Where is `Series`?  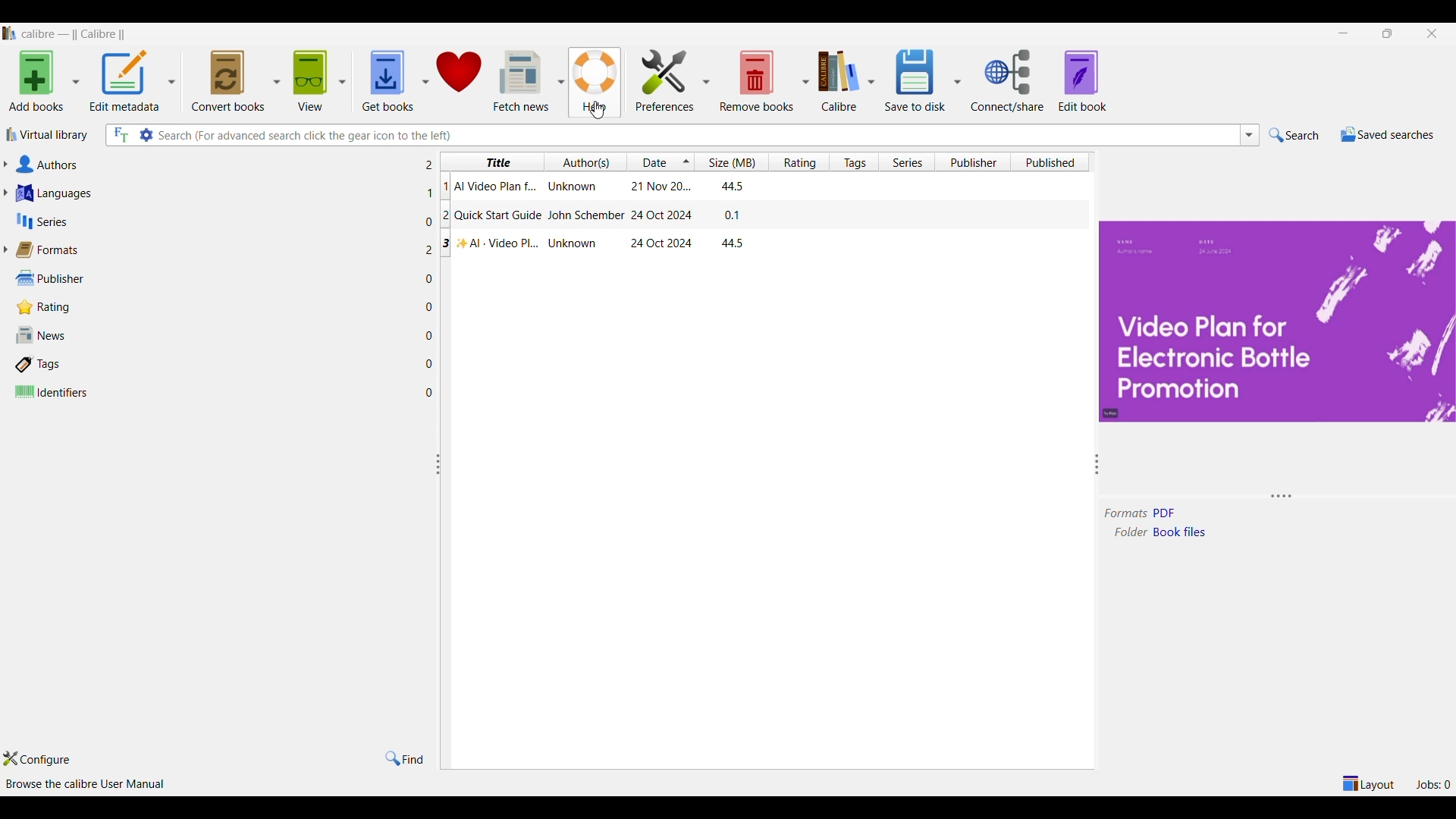
Series is located at coordinates (212, 221).